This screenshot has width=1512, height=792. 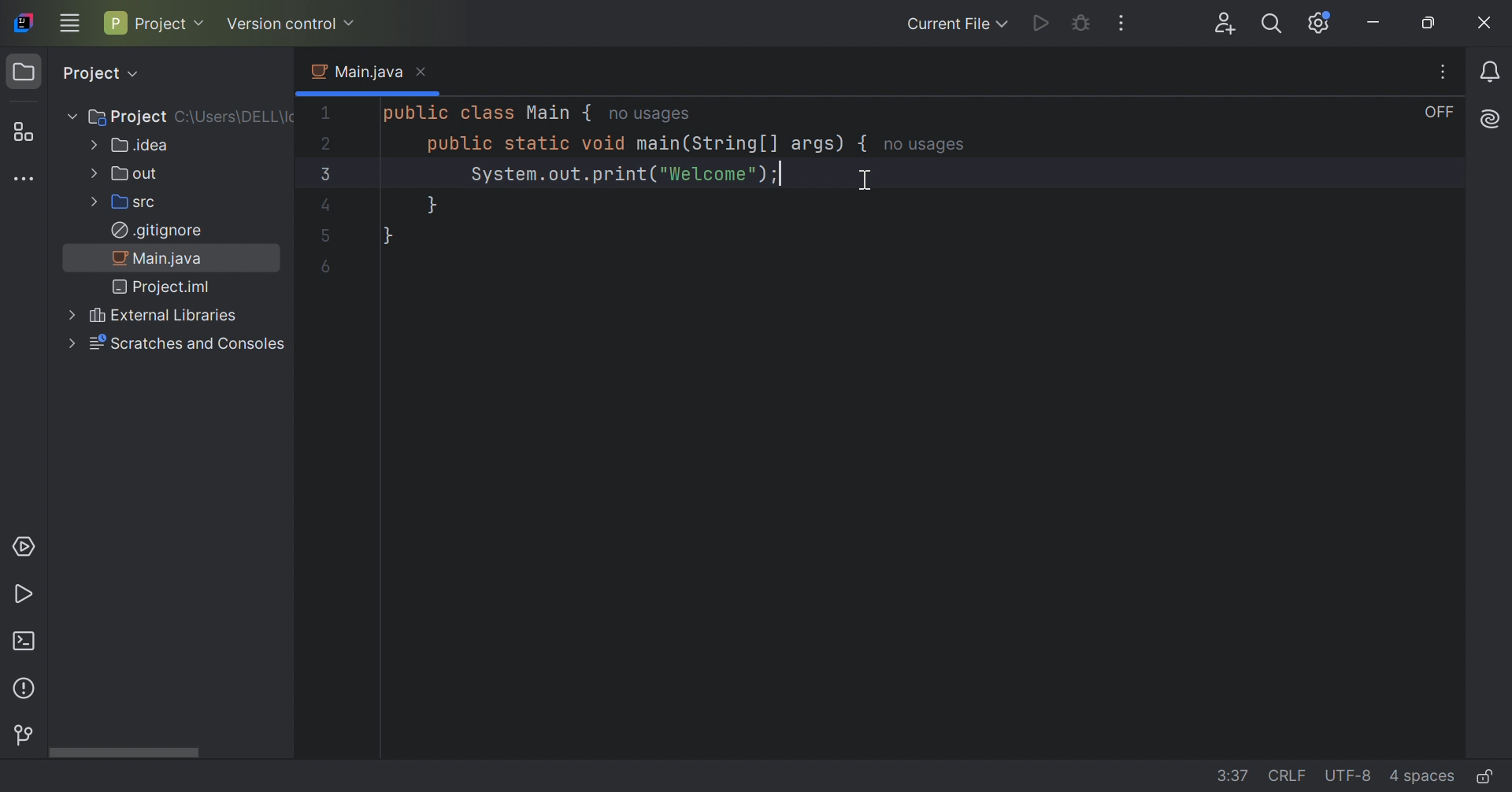 I want to click on Current file, so click(x=954, y=25).